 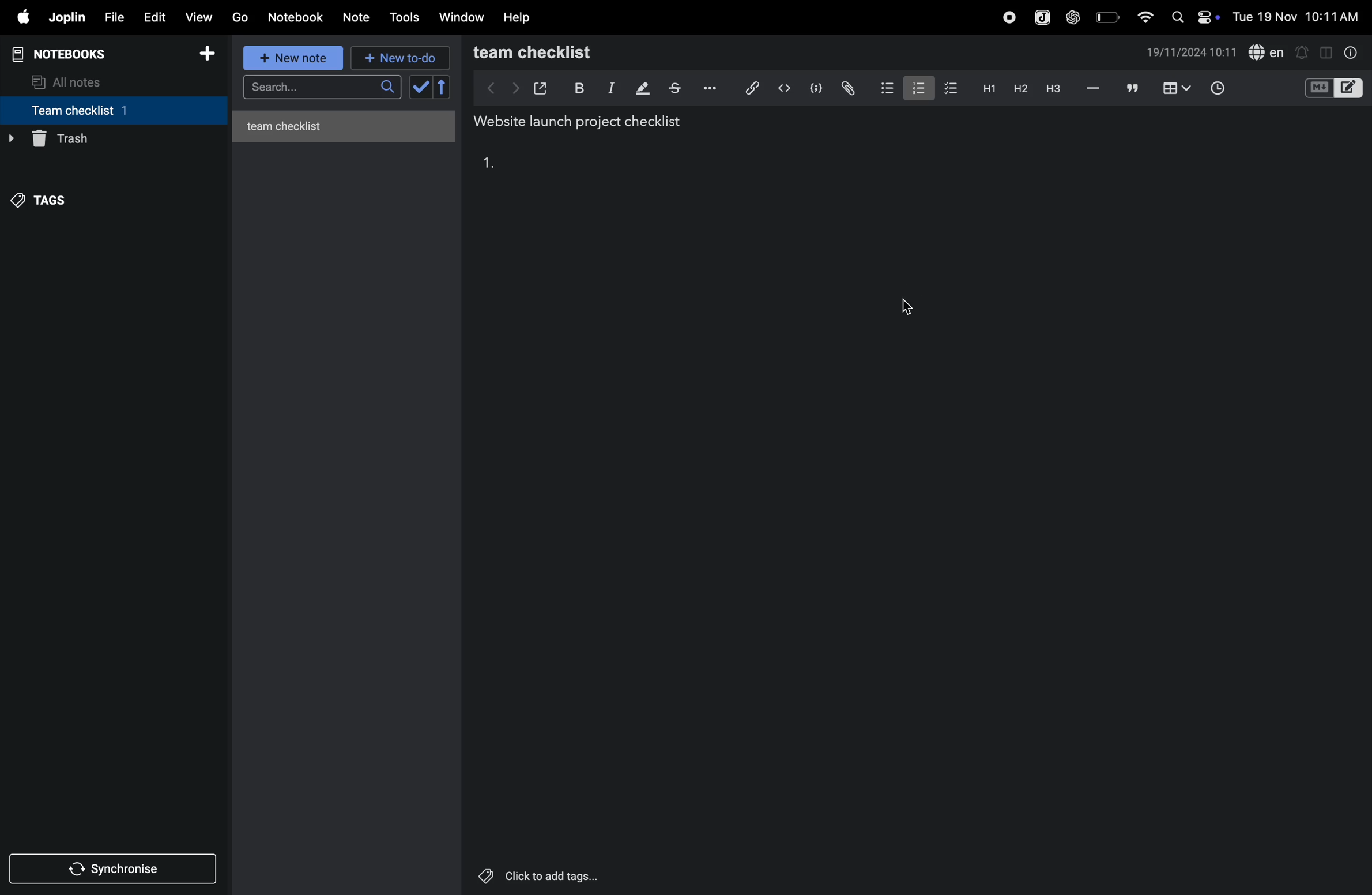 What do you see at coordinates (115, 868) in the screenshot?
I see `synchronize` at bounding box center [115, 868].